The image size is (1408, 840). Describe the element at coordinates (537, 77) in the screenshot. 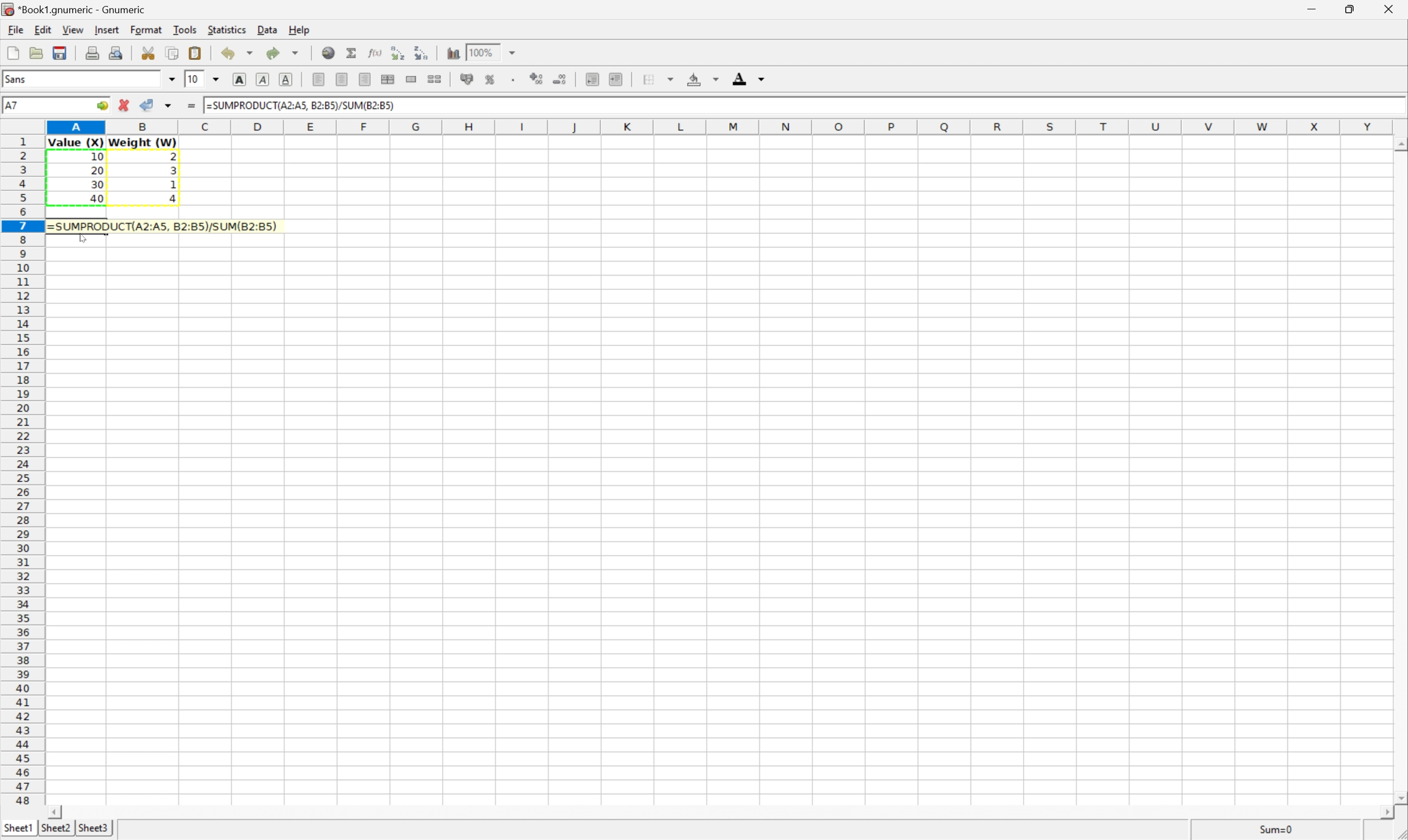

I see `Increase the number of decimals displayed` at that location.